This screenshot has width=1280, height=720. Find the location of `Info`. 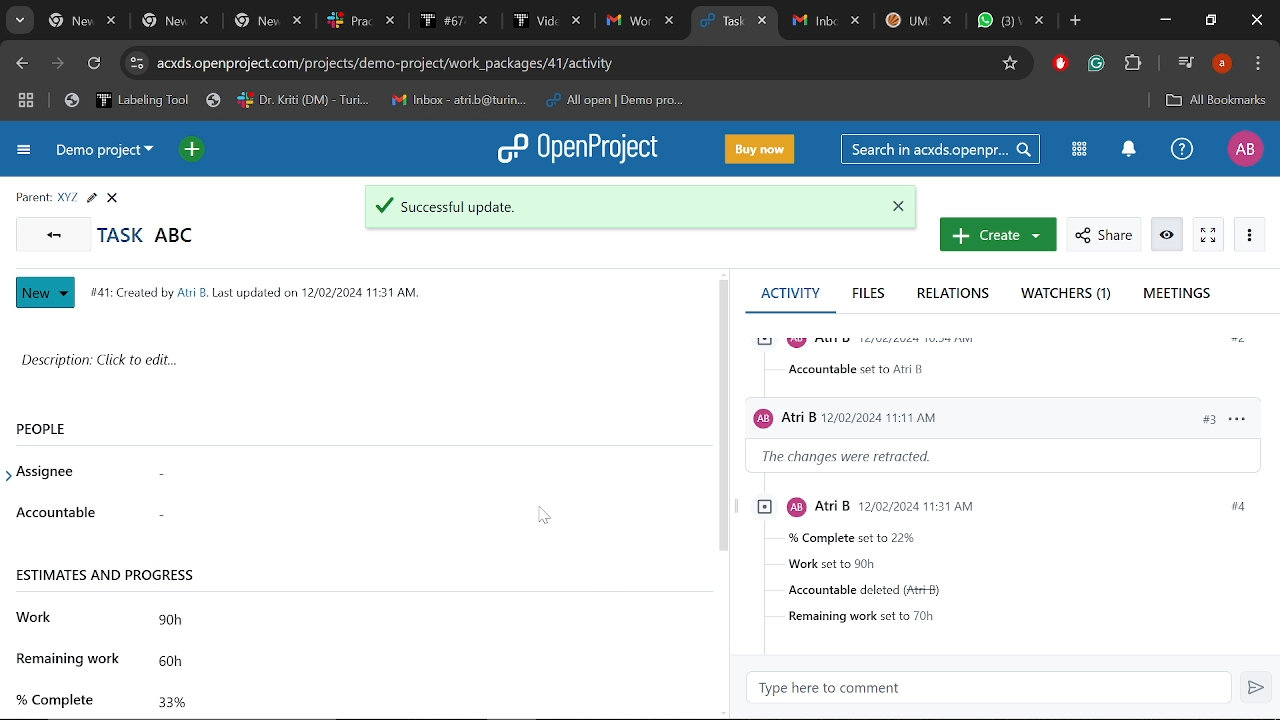

Info is located at coordinates (1168, 235).